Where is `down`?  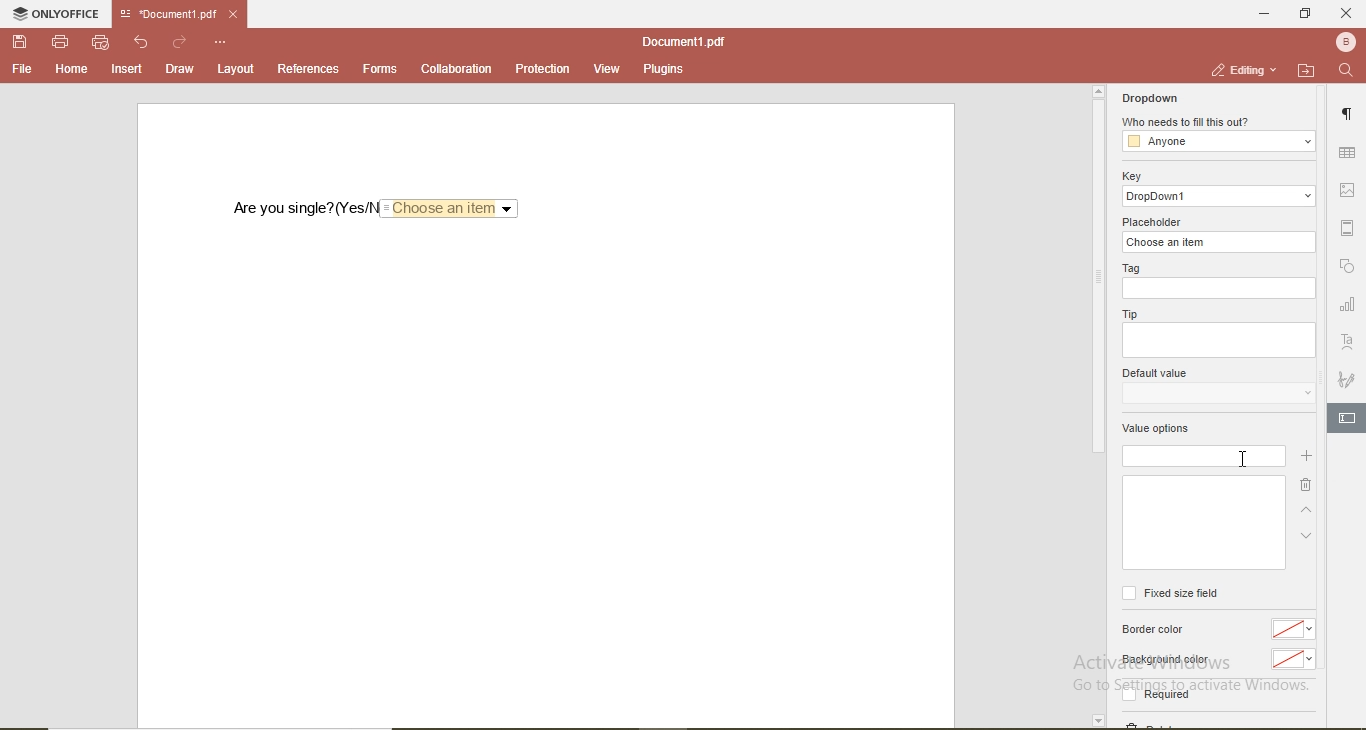 down is located at coordinates (1304, 541).